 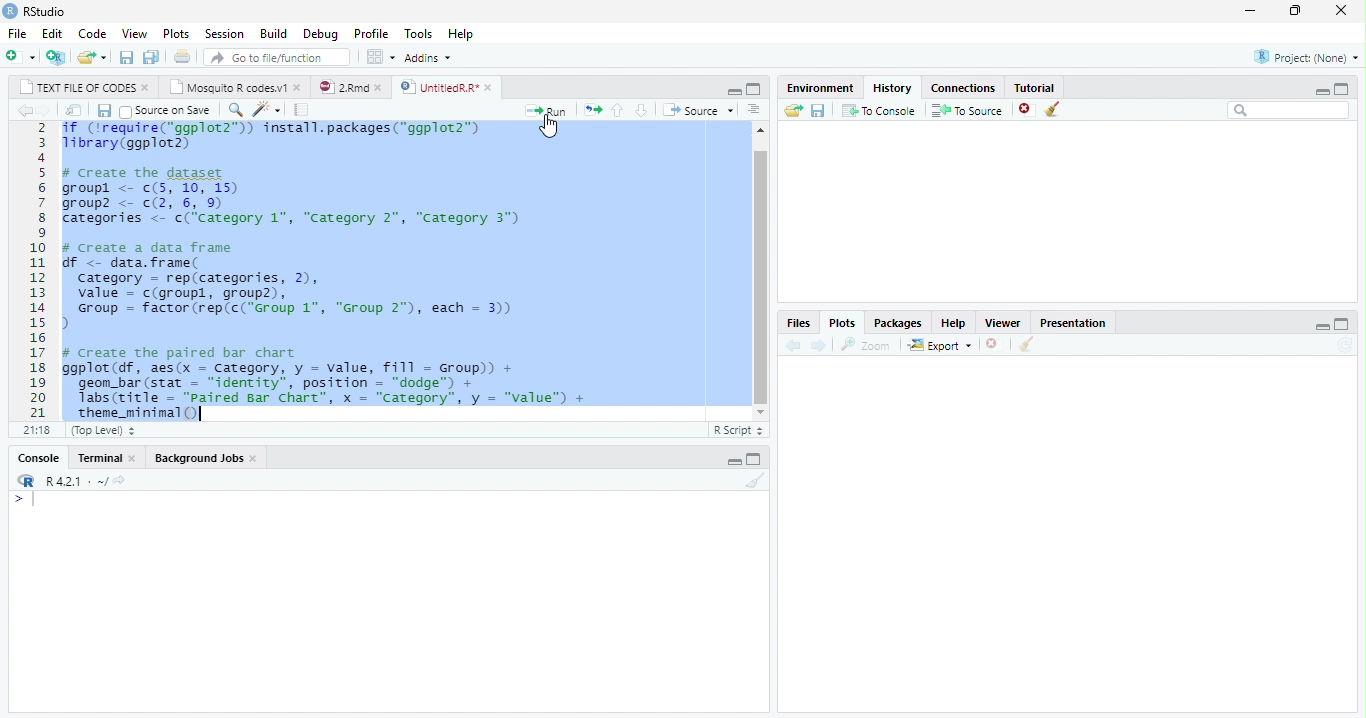 I want to click on plots, so click(x=174, y=32).